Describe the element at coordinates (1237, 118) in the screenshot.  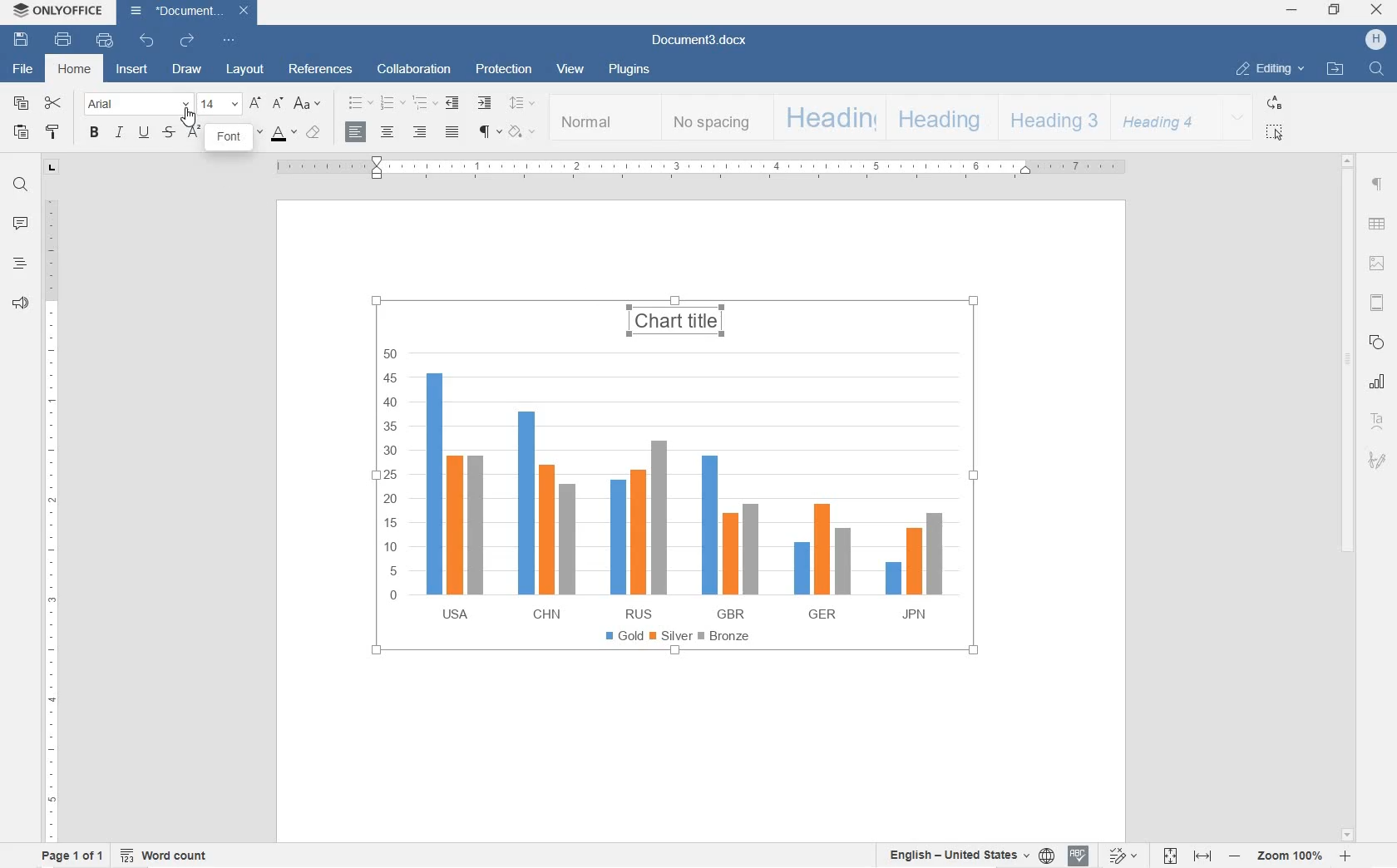
I see `EXPAND FORMATTING STYLE` at that location.